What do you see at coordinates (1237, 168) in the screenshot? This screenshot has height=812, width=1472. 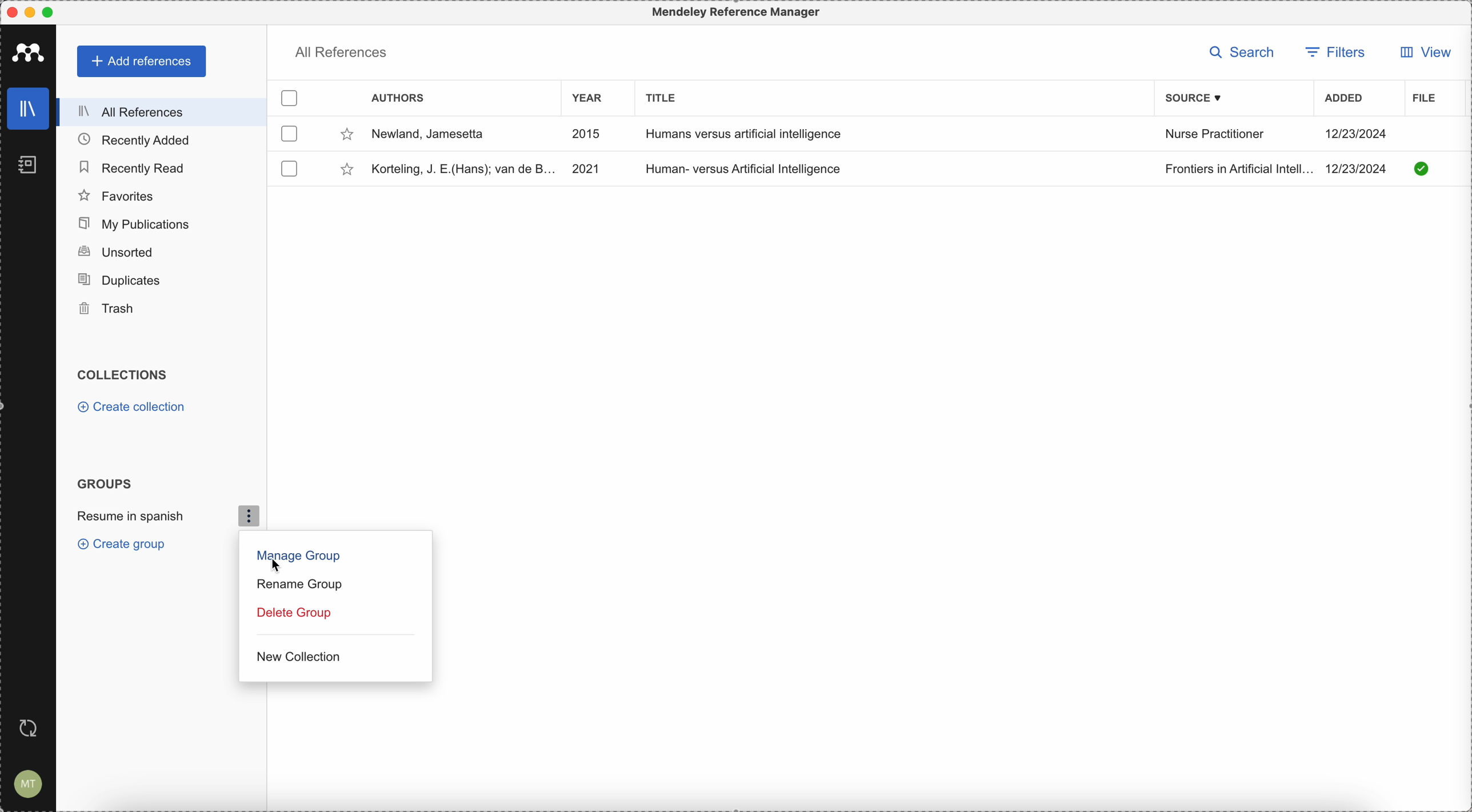 I see `Frontiers in Artificial Intell..` at bounding box center [1237, 168].